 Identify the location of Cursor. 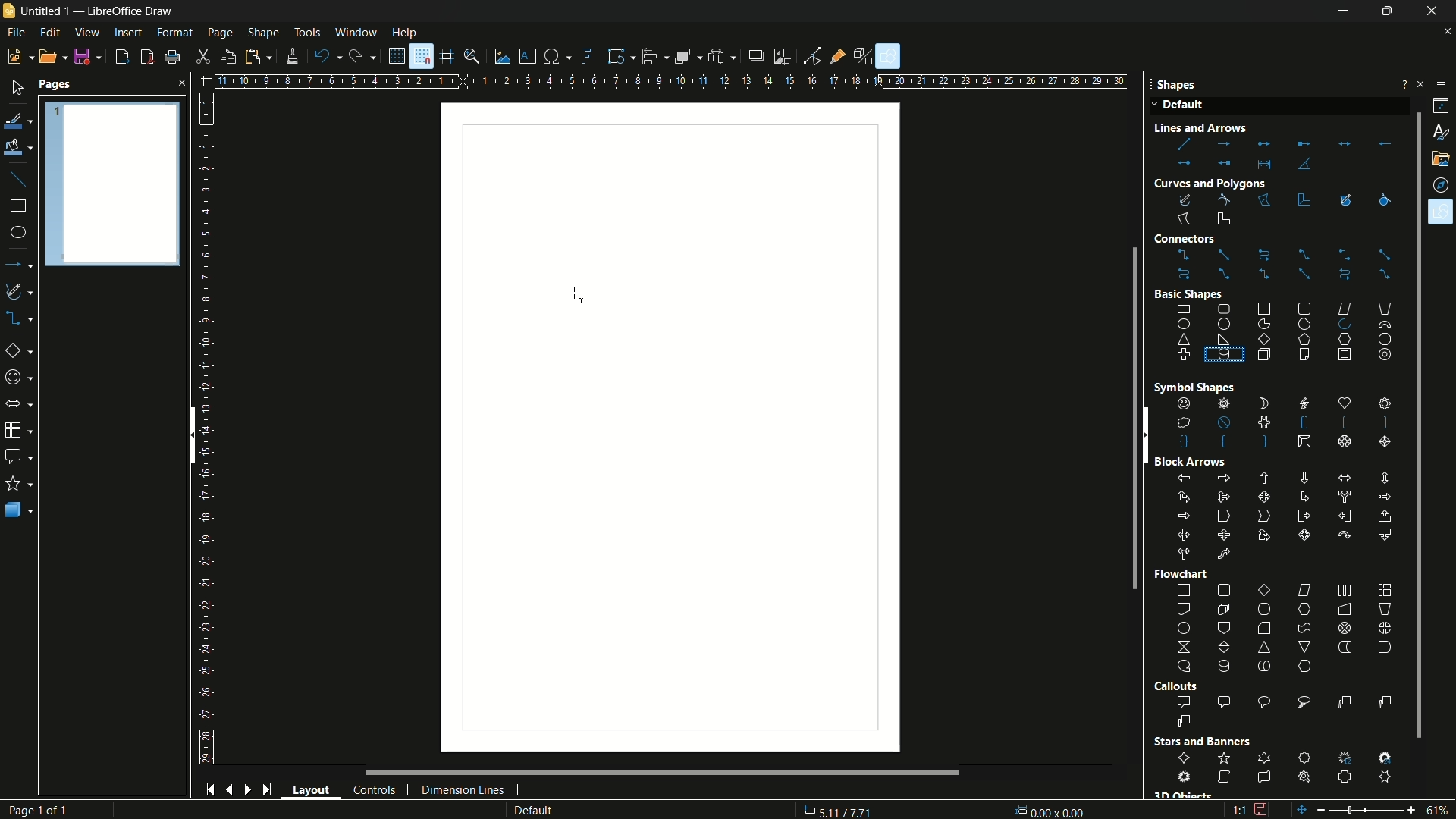
(1442, 219).